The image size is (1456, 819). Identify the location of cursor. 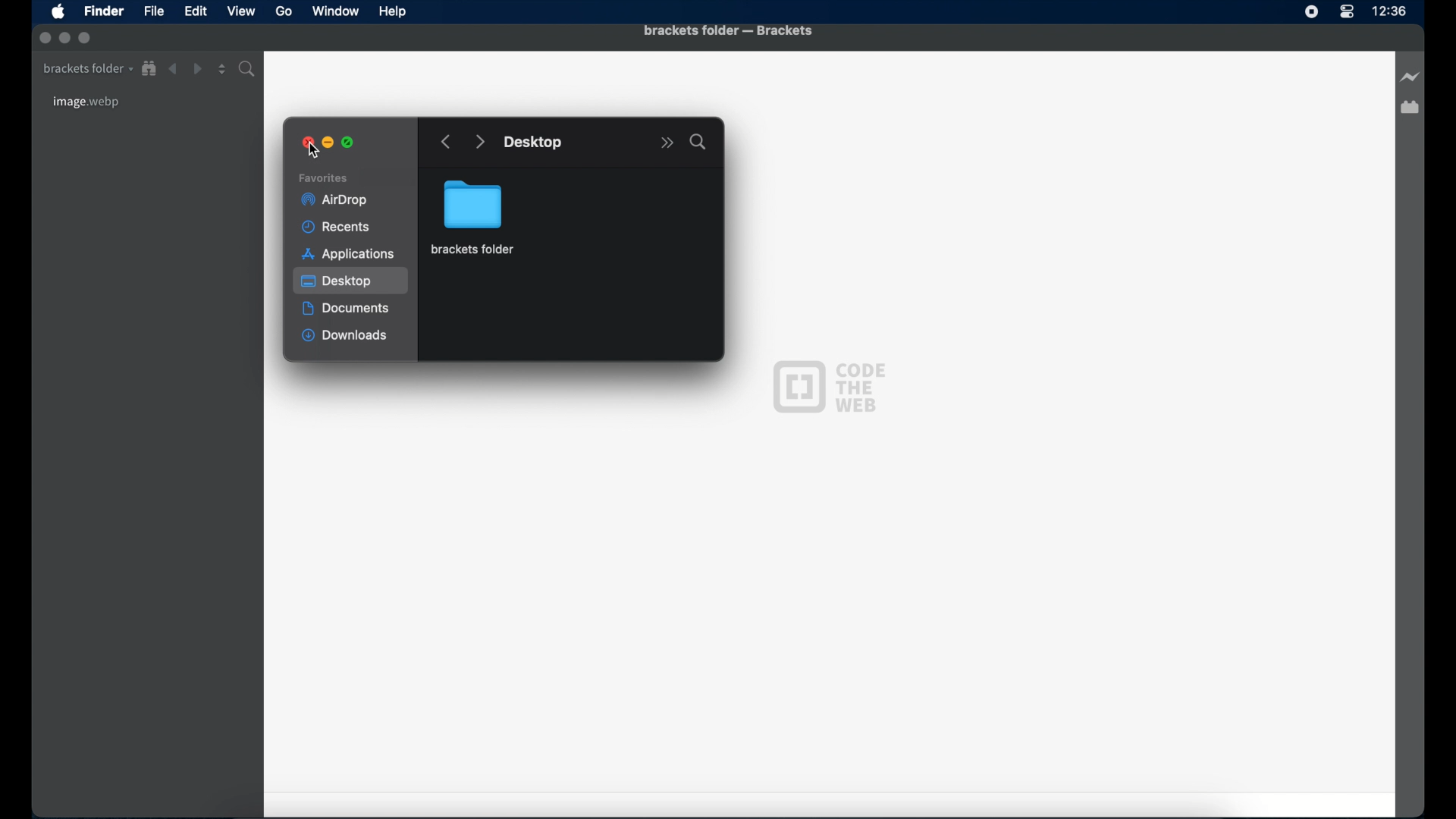
(311, 152).